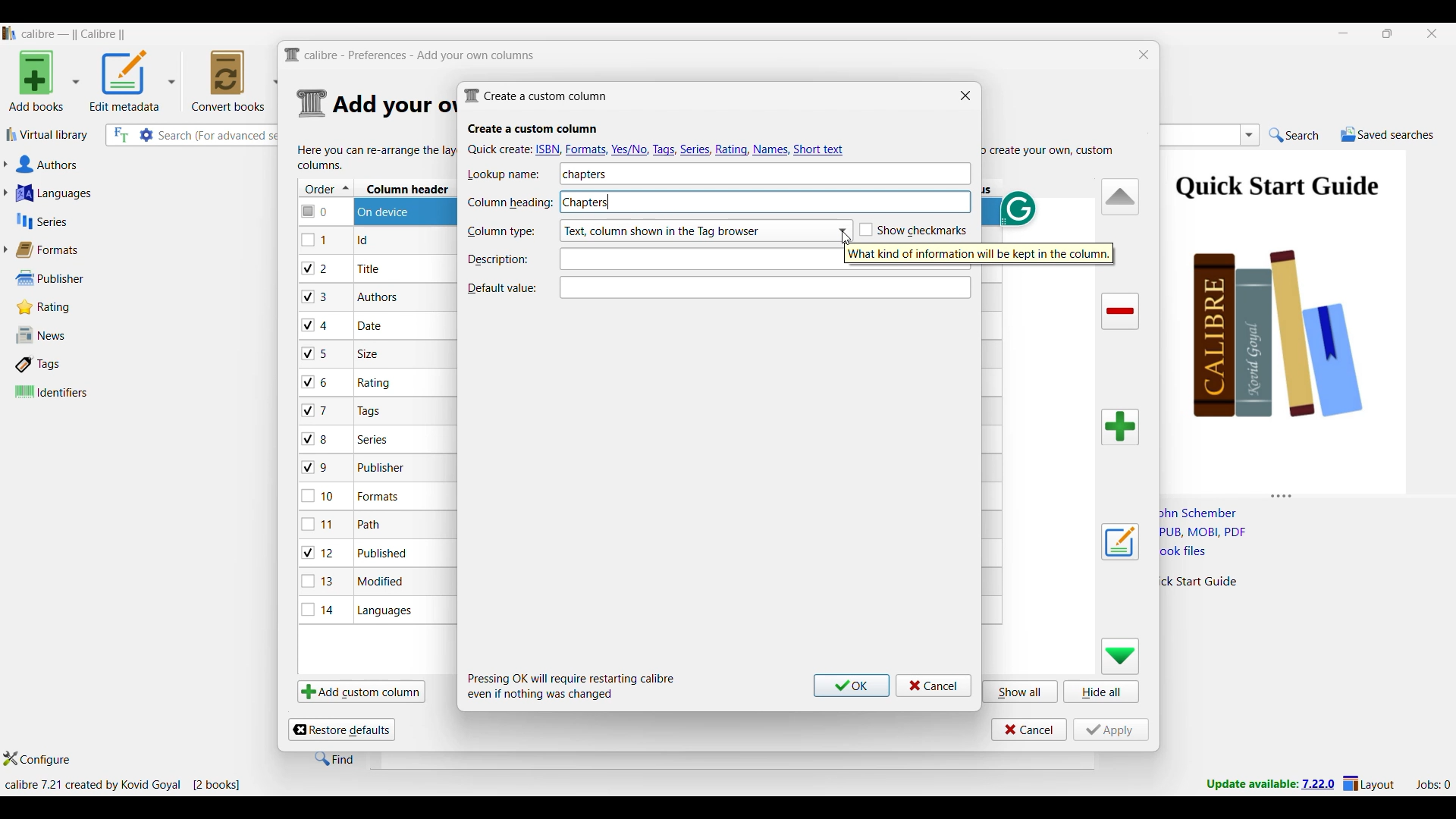 The width and height of the screenshot is (1456, 819). I want to click on Restore defaults, so click(341, 730).